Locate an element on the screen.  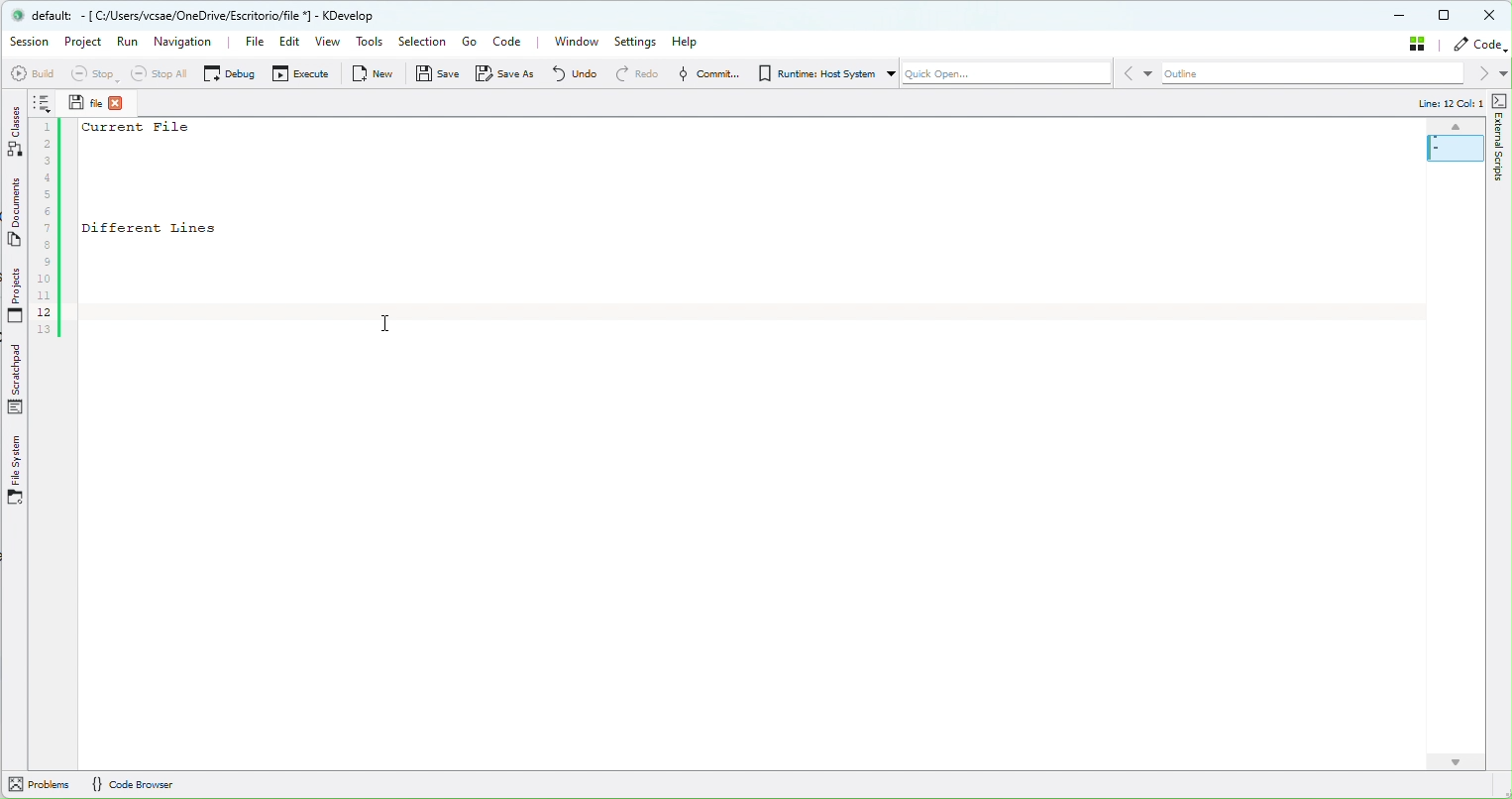
Save As is located at coordinates (504, 73).